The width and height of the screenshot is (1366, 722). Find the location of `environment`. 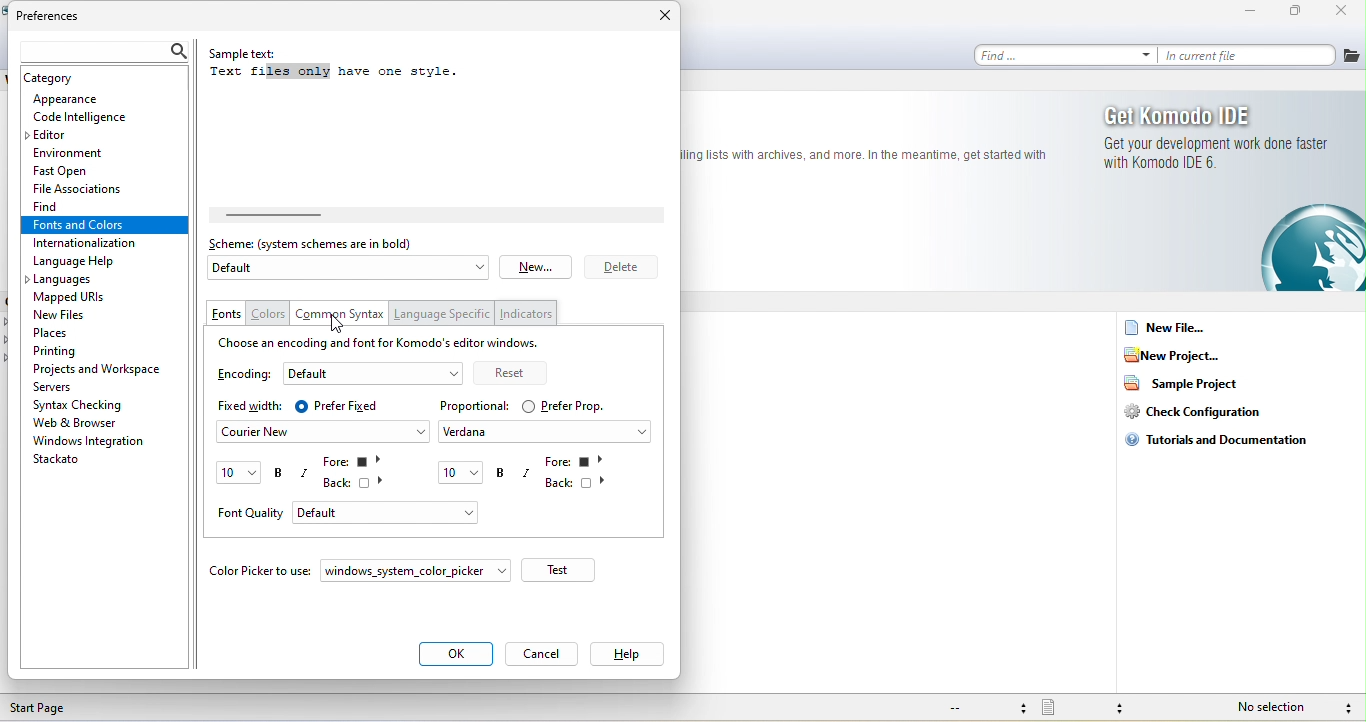

environment is located at coordinates (85, 151).